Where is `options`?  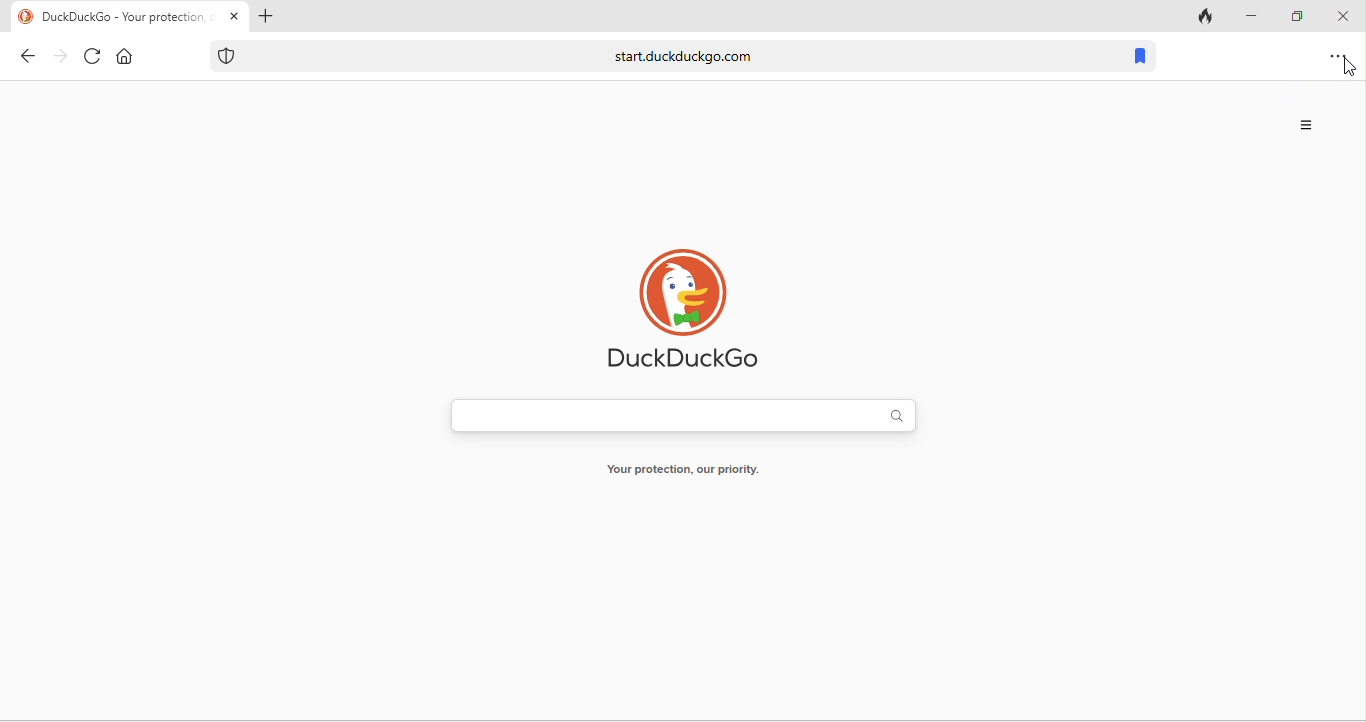 options is located at coordinates (1339, 56).